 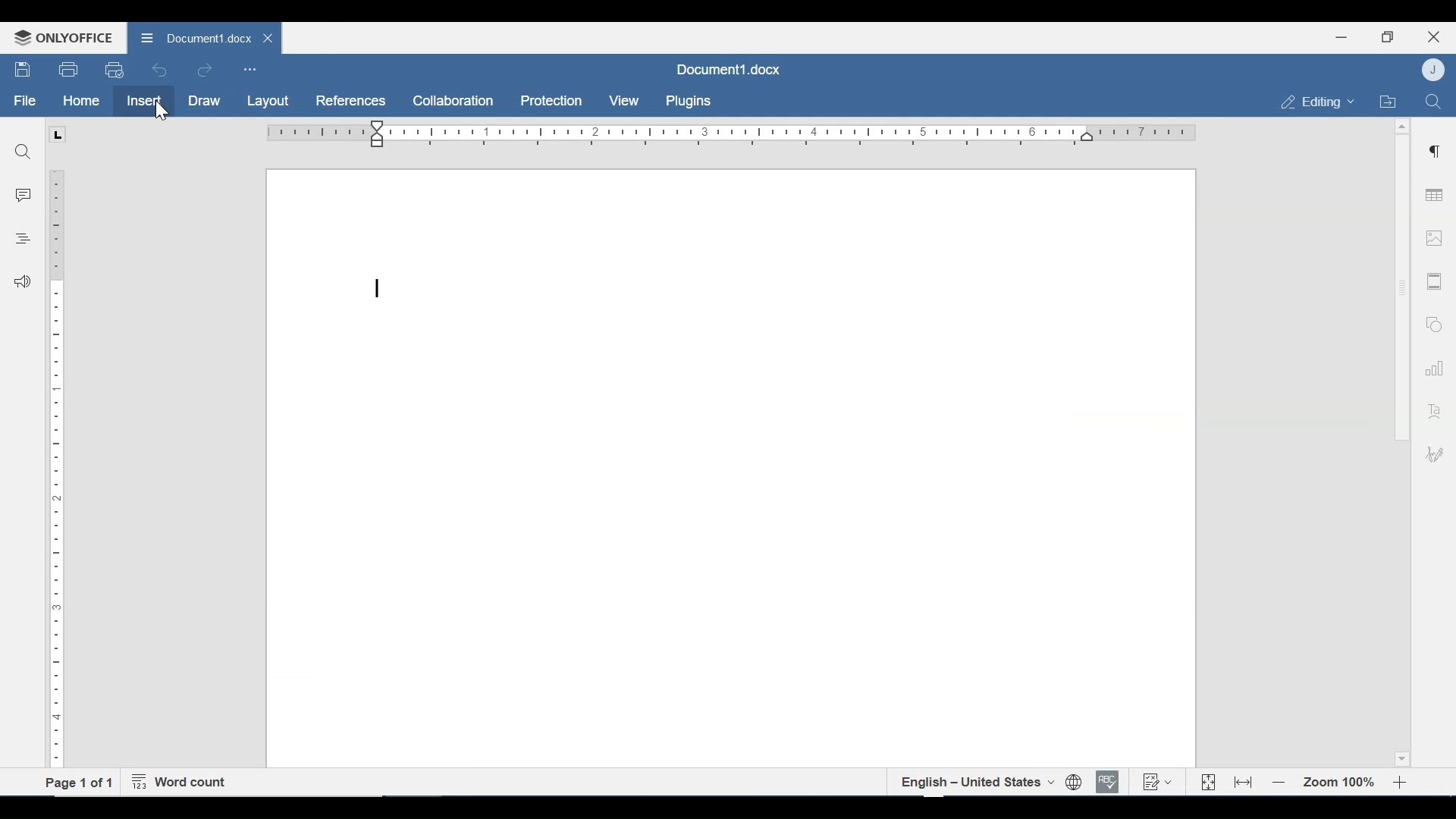 What do you see at coordinates (625, 101) in the screenshot?
I see `View` at bounding box center [625, 101].